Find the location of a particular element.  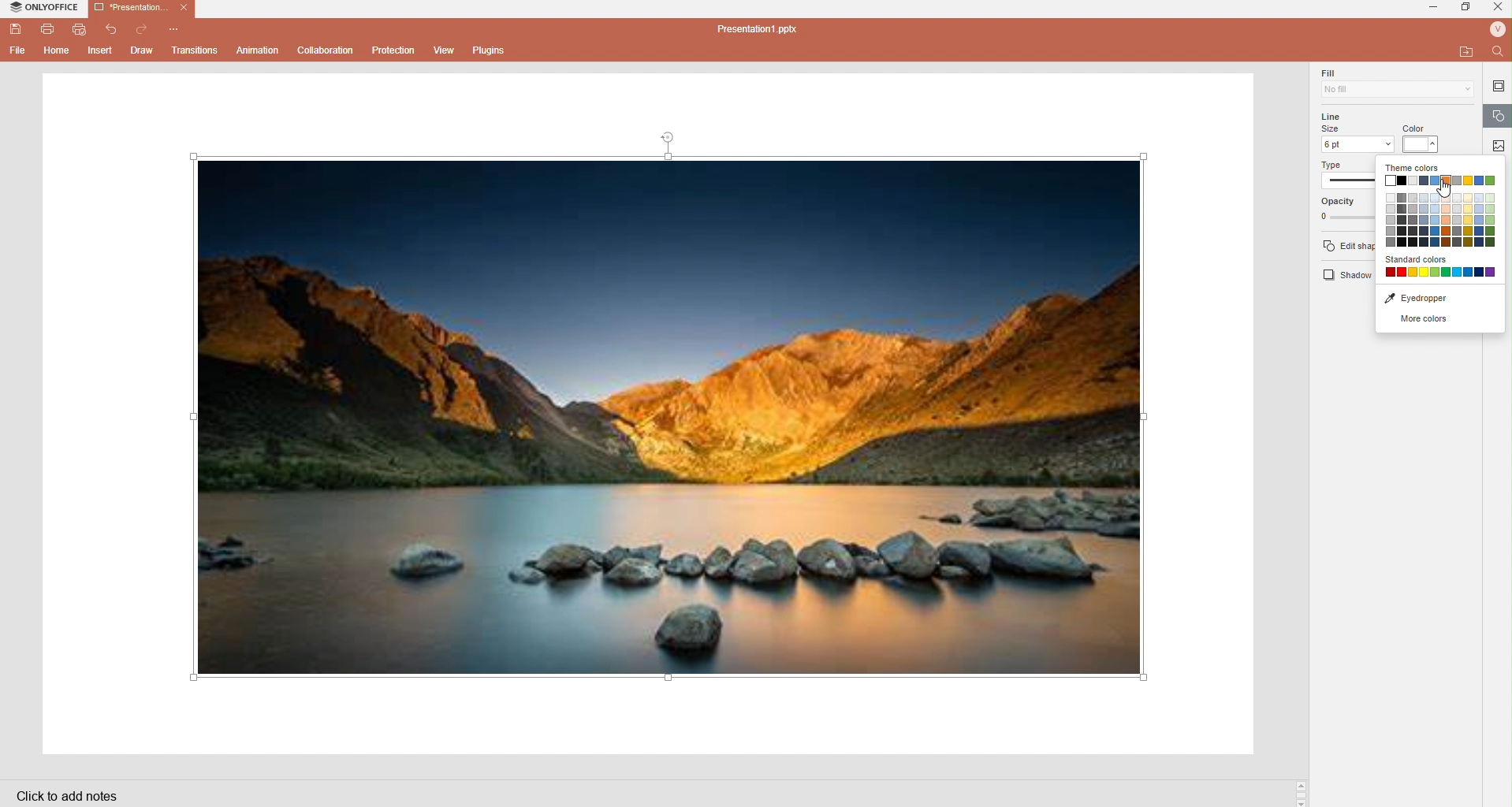

Line size is located at coordinates (1357, 133).